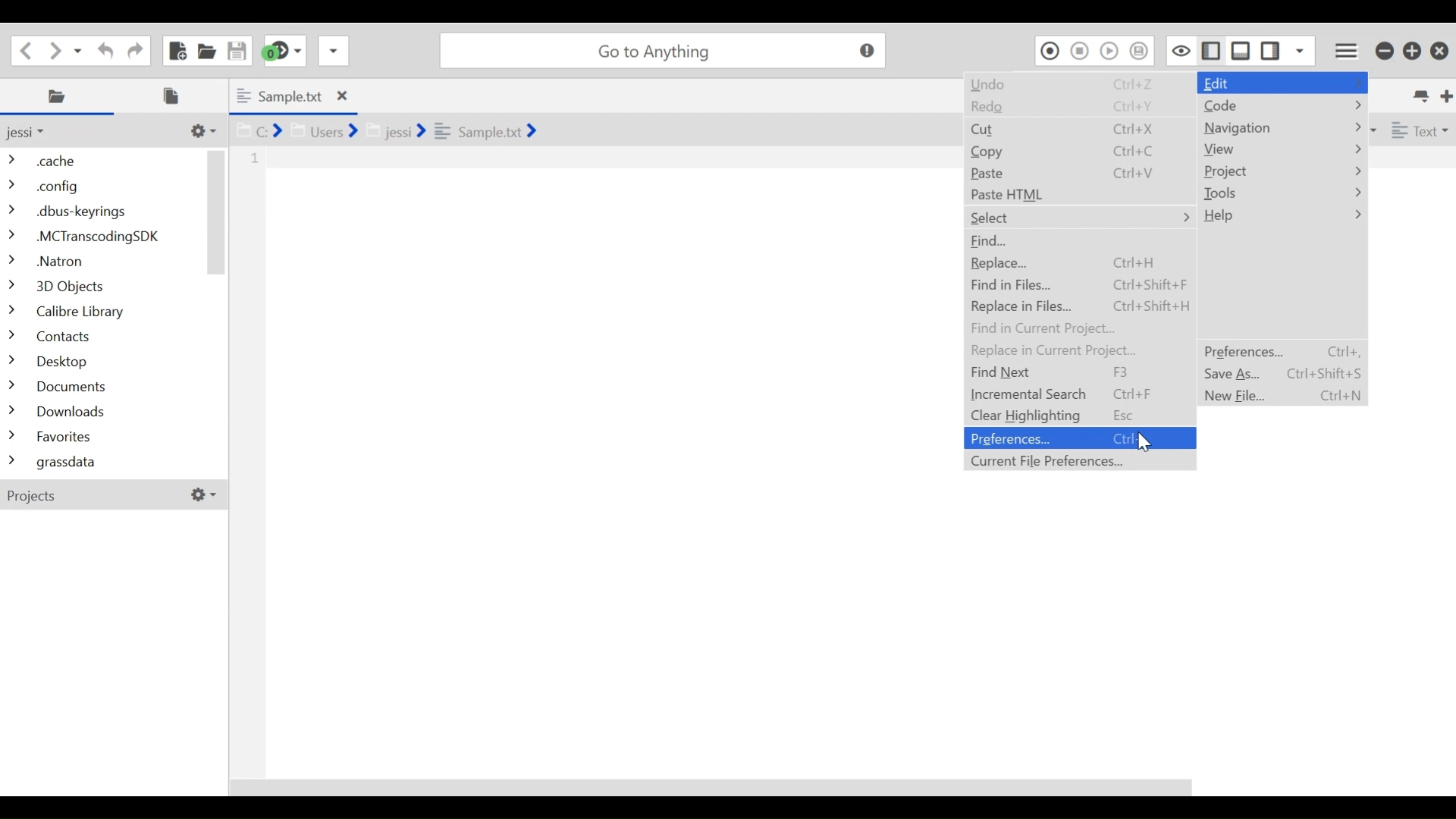 The image size is (1456, 819). I want to click on Recent locations, so click(80, 49).